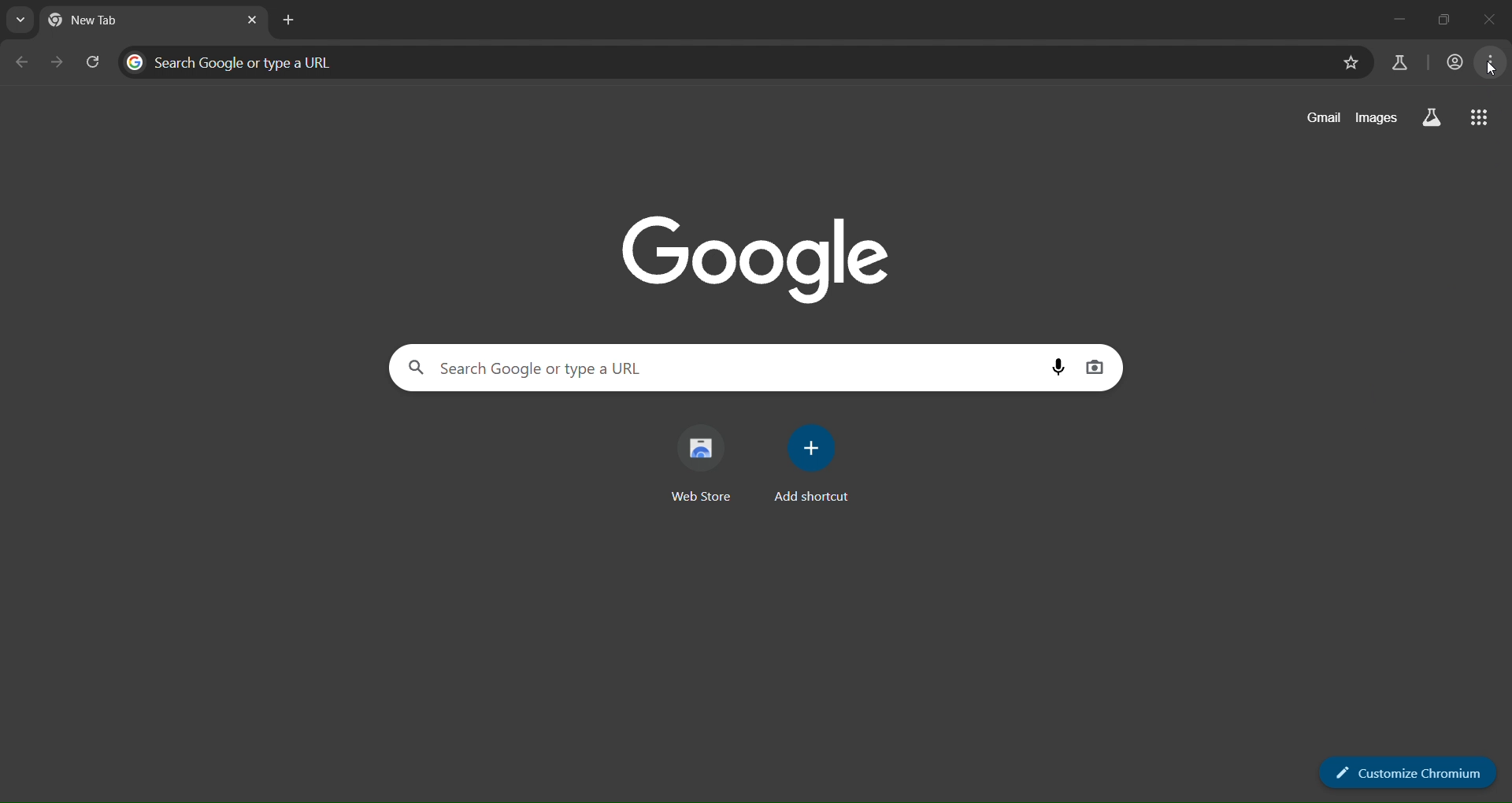 Image resolution: width=1512 pixels, height=803 pixels. Describe the element at coordinates (1455, 64) in the screenshot. I see `account` at that location.